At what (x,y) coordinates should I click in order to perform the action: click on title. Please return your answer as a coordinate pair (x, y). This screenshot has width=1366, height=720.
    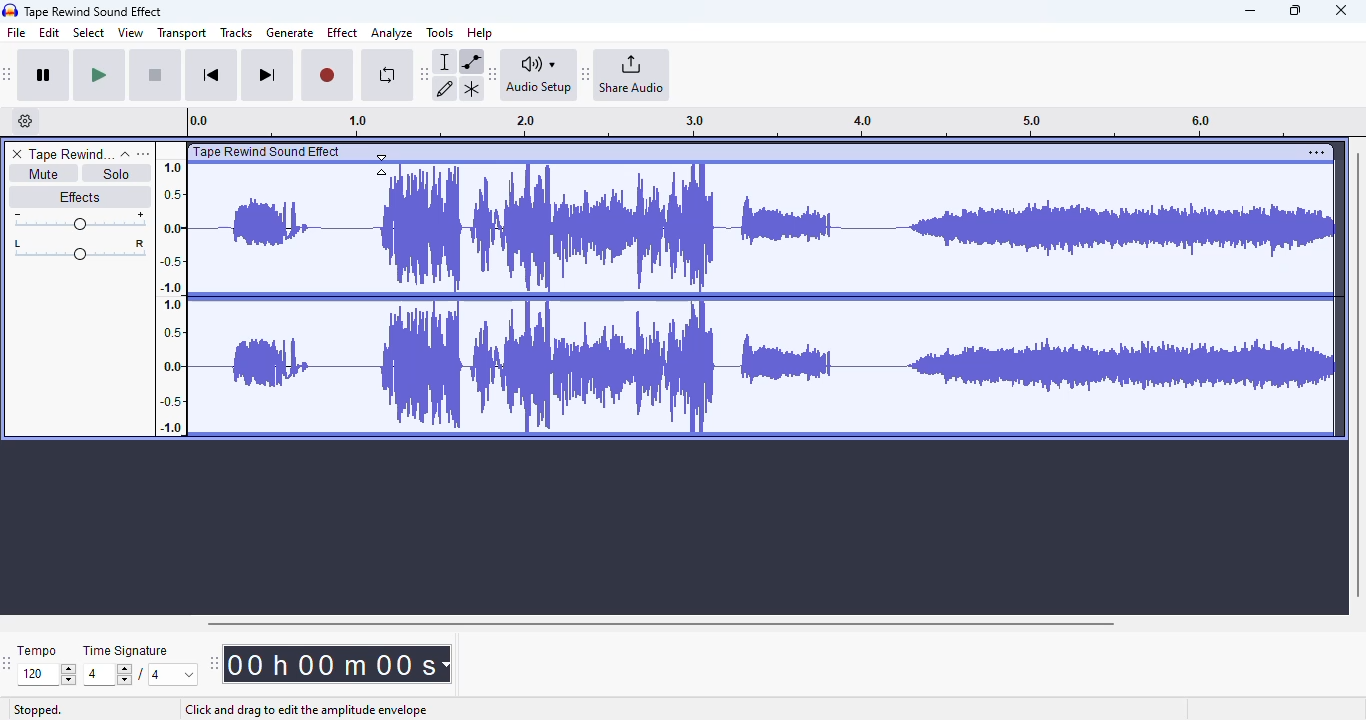
    Looking at the image, I should click on (94, 11).